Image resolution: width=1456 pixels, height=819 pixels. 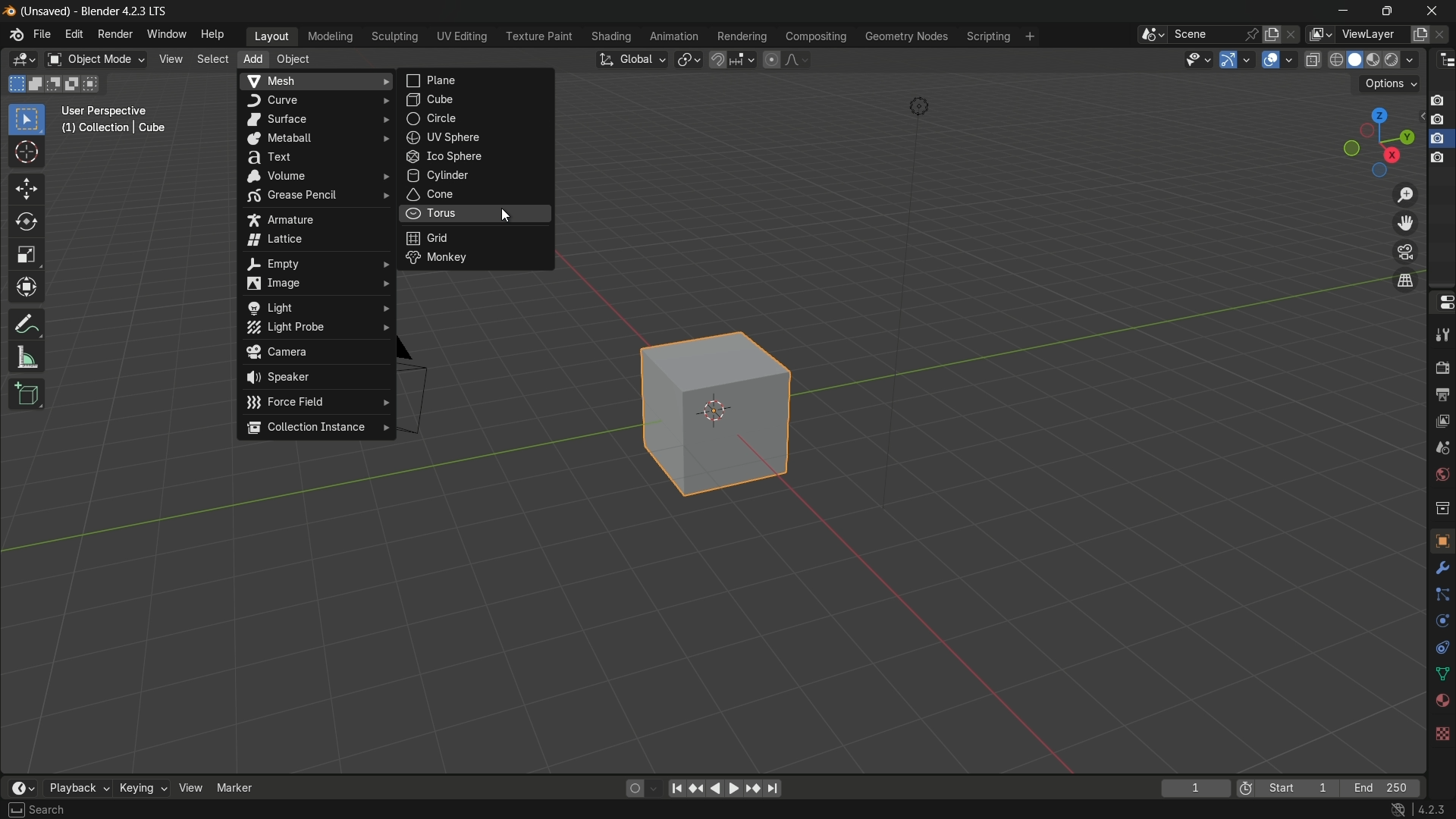 I want to click on lattice, so click(x=312, y=239).